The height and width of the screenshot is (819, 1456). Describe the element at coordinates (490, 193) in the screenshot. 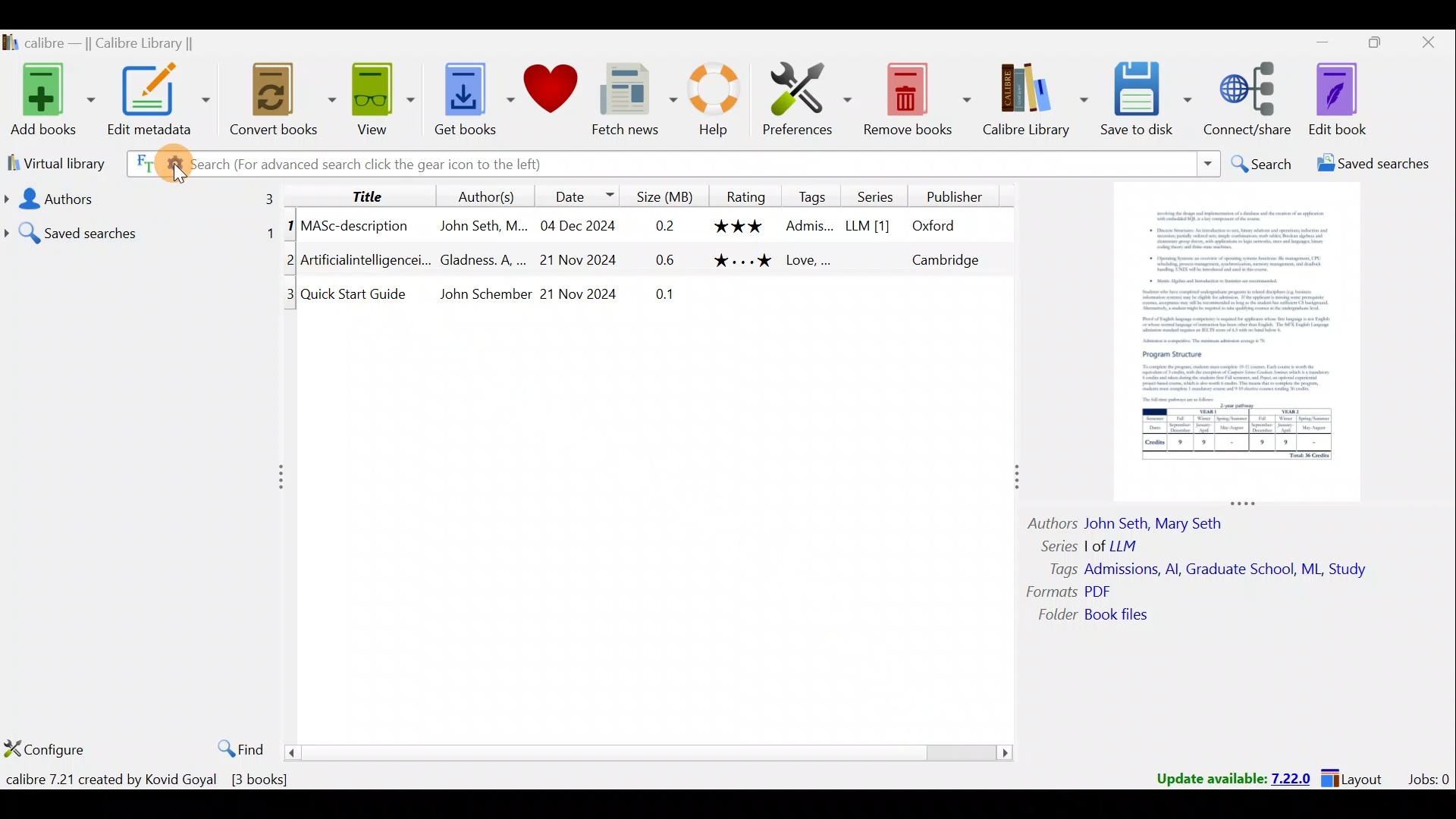

I see `Author(s)` at that location.